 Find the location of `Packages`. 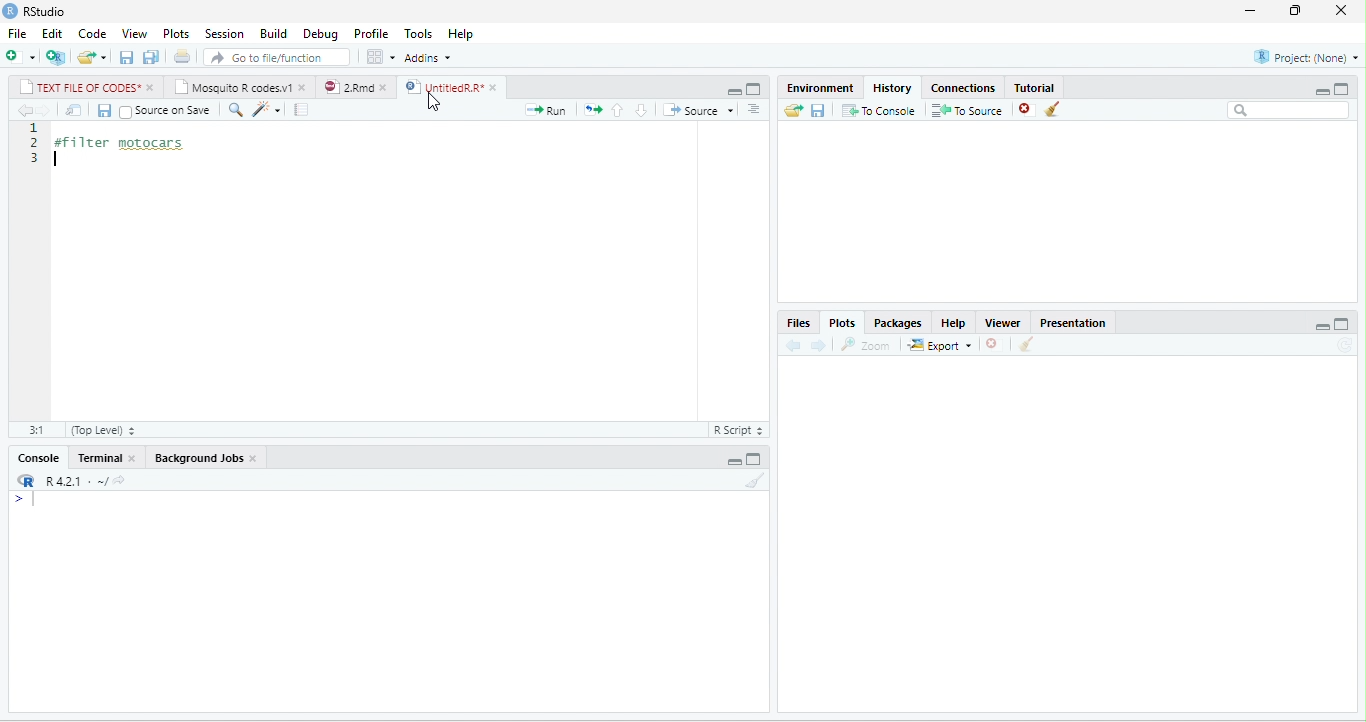

Packages is located at coordinates (898, 323).